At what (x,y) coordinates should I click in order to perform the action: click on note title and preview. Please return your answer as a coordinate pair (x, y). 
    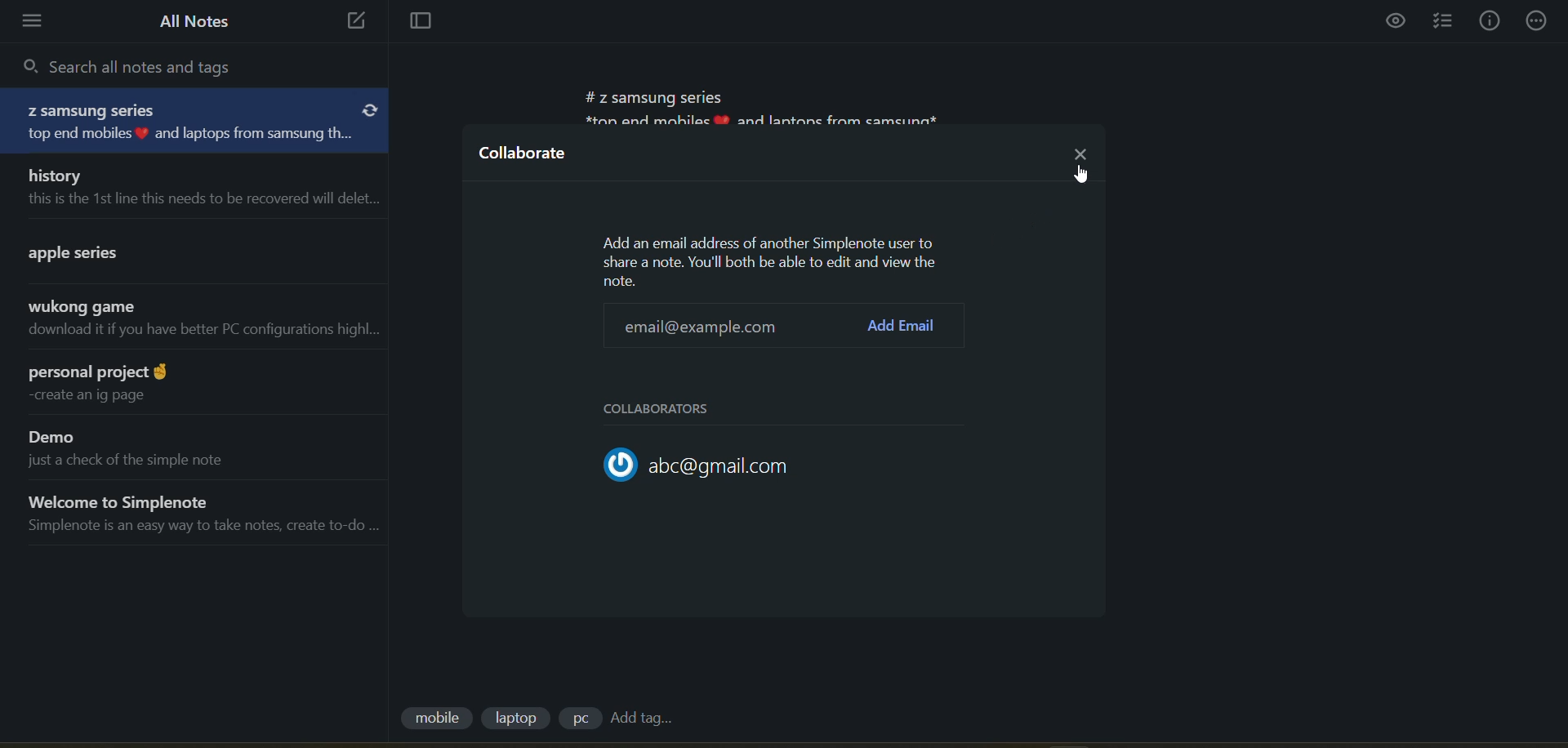
    Looking at the image, I should click on (192, 322).